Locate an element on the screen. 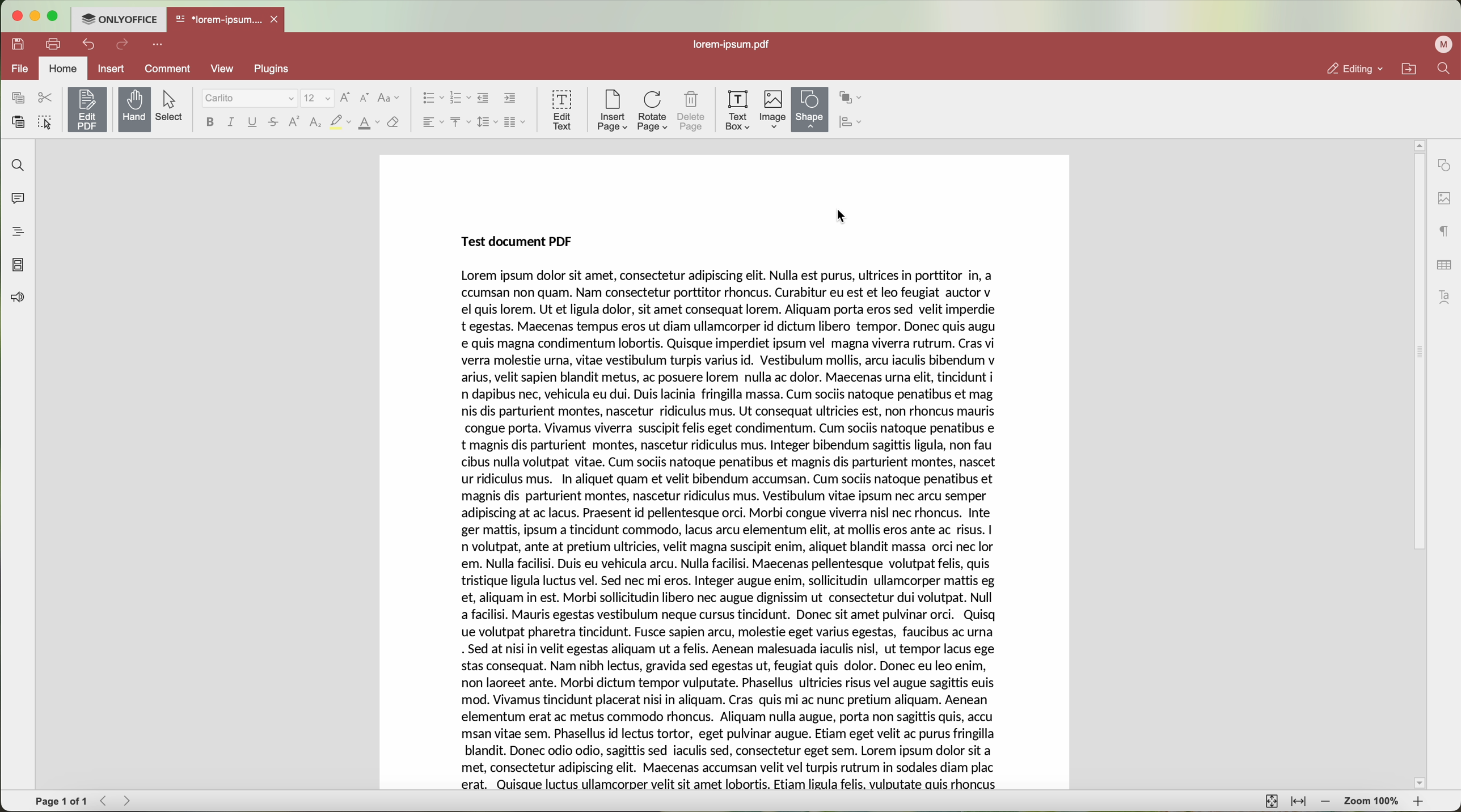  close program is located at coordinates (18, 16).